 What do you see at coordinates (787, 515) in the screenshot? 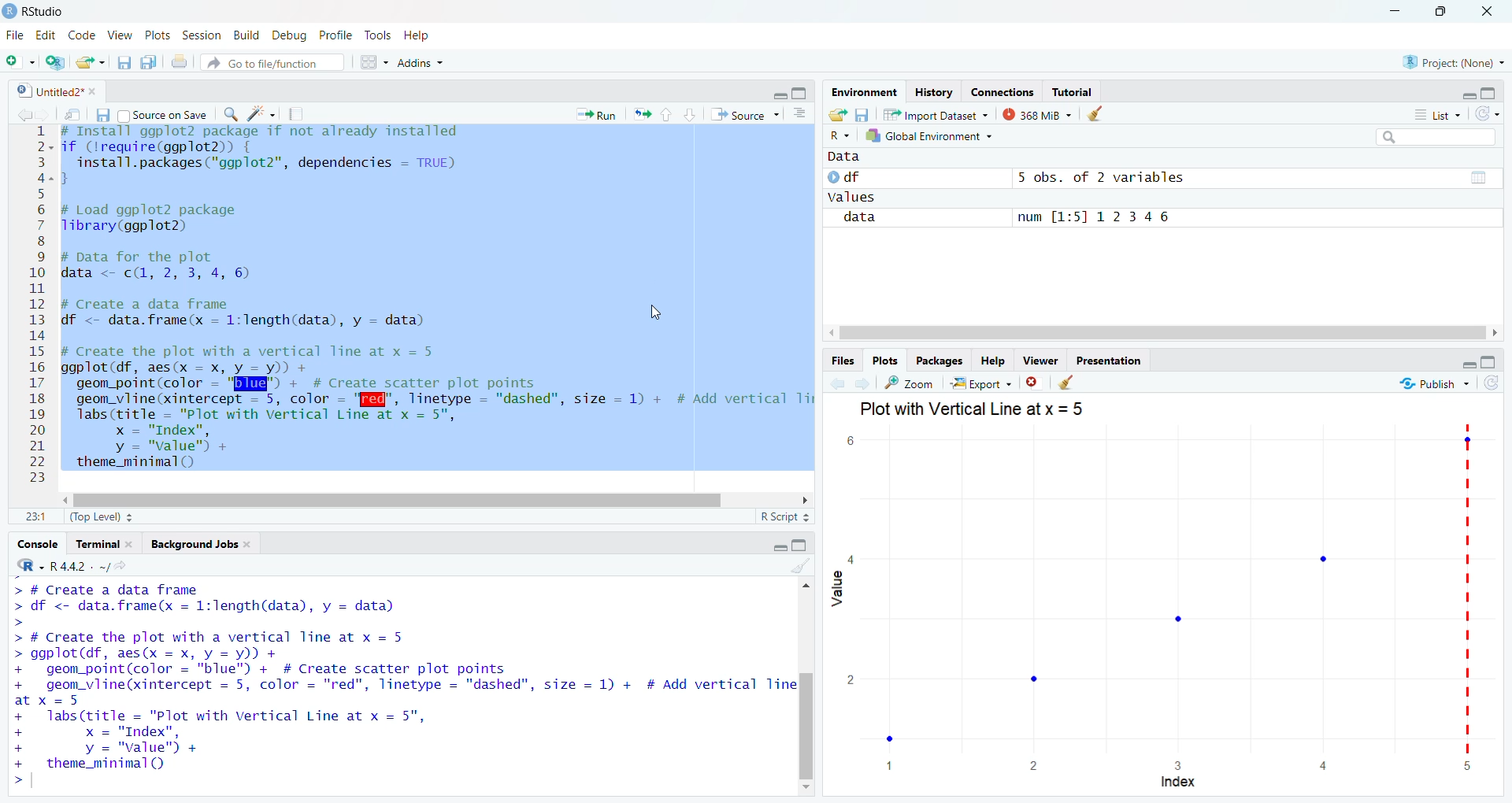
I see `R Script =` at bounding box center [787, 515].